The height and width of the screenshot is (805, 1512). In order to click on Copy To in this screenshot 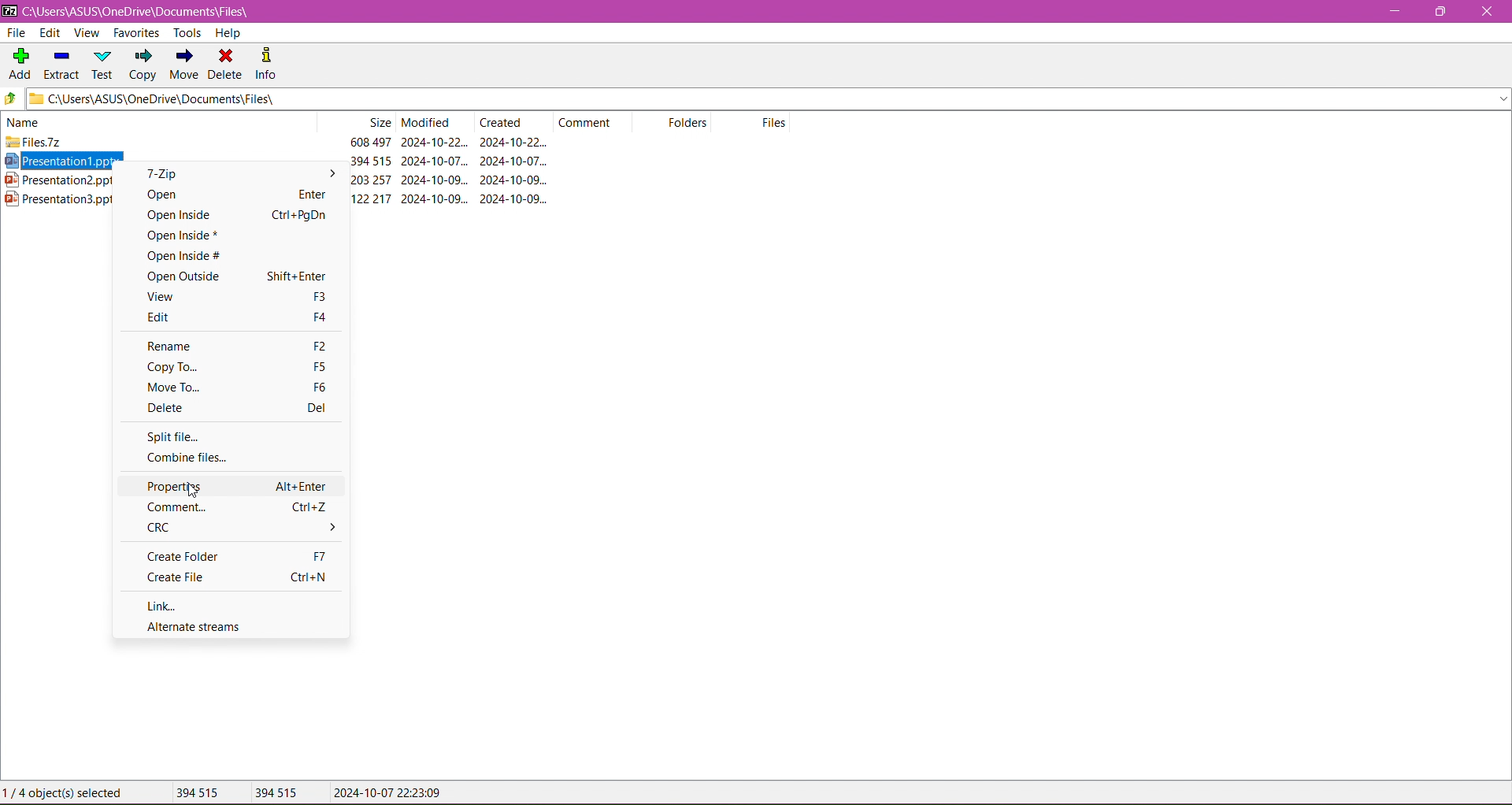, I will do `click(237, 366)`.